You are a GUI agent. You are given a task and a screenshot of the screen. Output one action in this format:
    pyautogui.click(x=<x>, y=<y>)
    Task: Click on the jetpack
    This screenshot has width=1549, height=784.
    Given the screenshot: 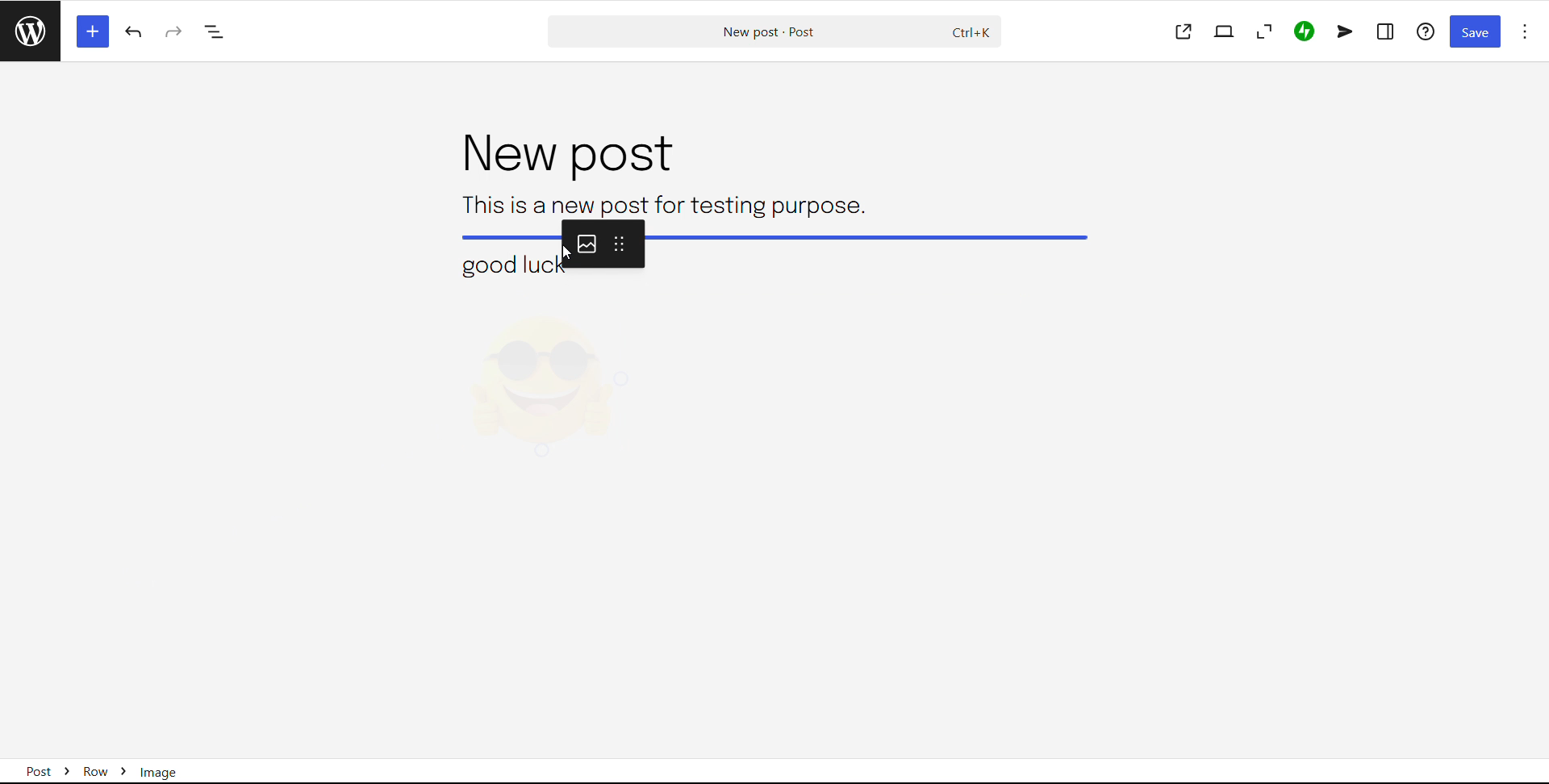 What is the action you would take?
    pyautogui.click(x=1304, y=32)
    